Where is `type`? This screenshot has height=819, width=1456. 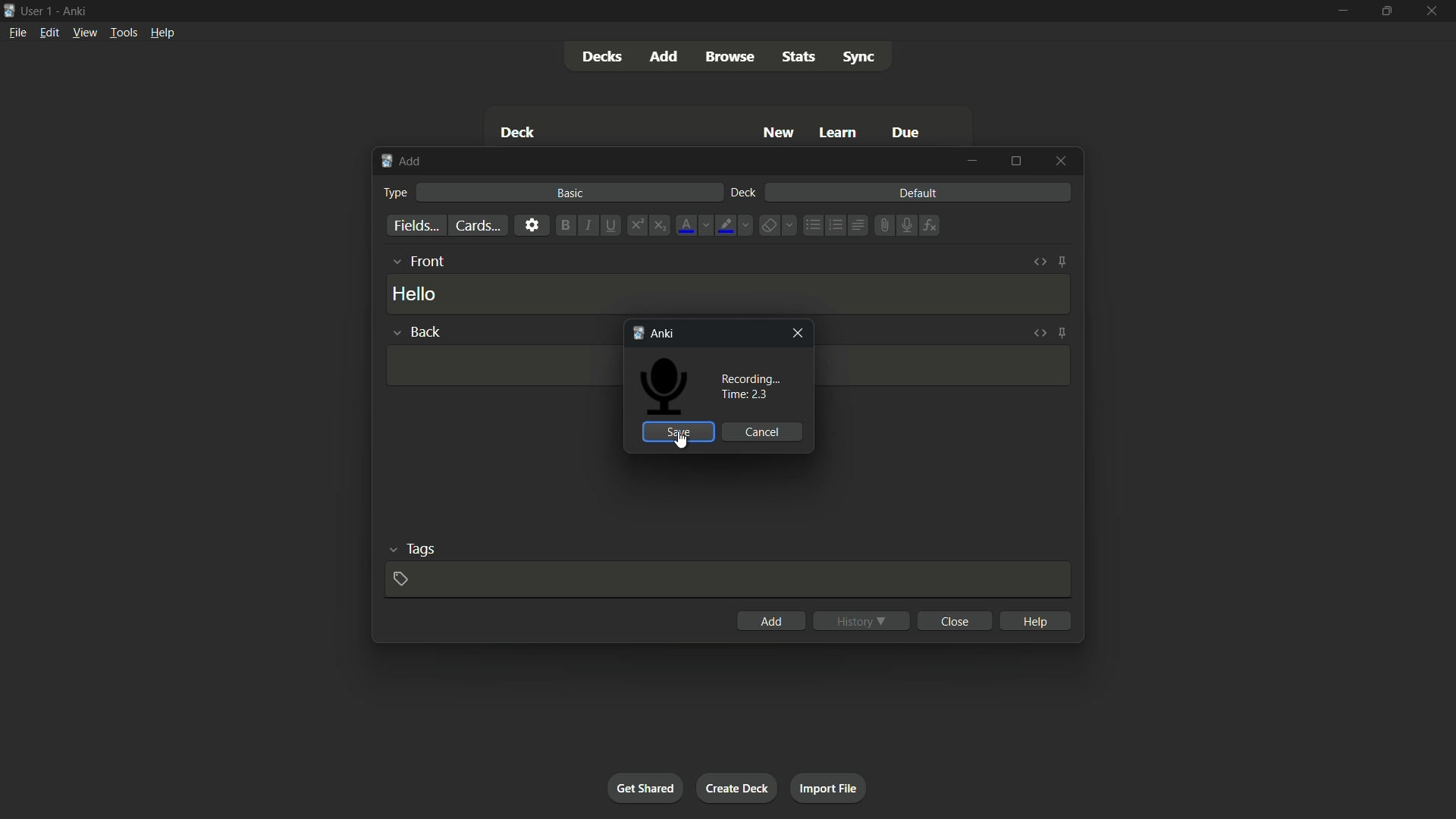
type is located at coordinates (396, 193).